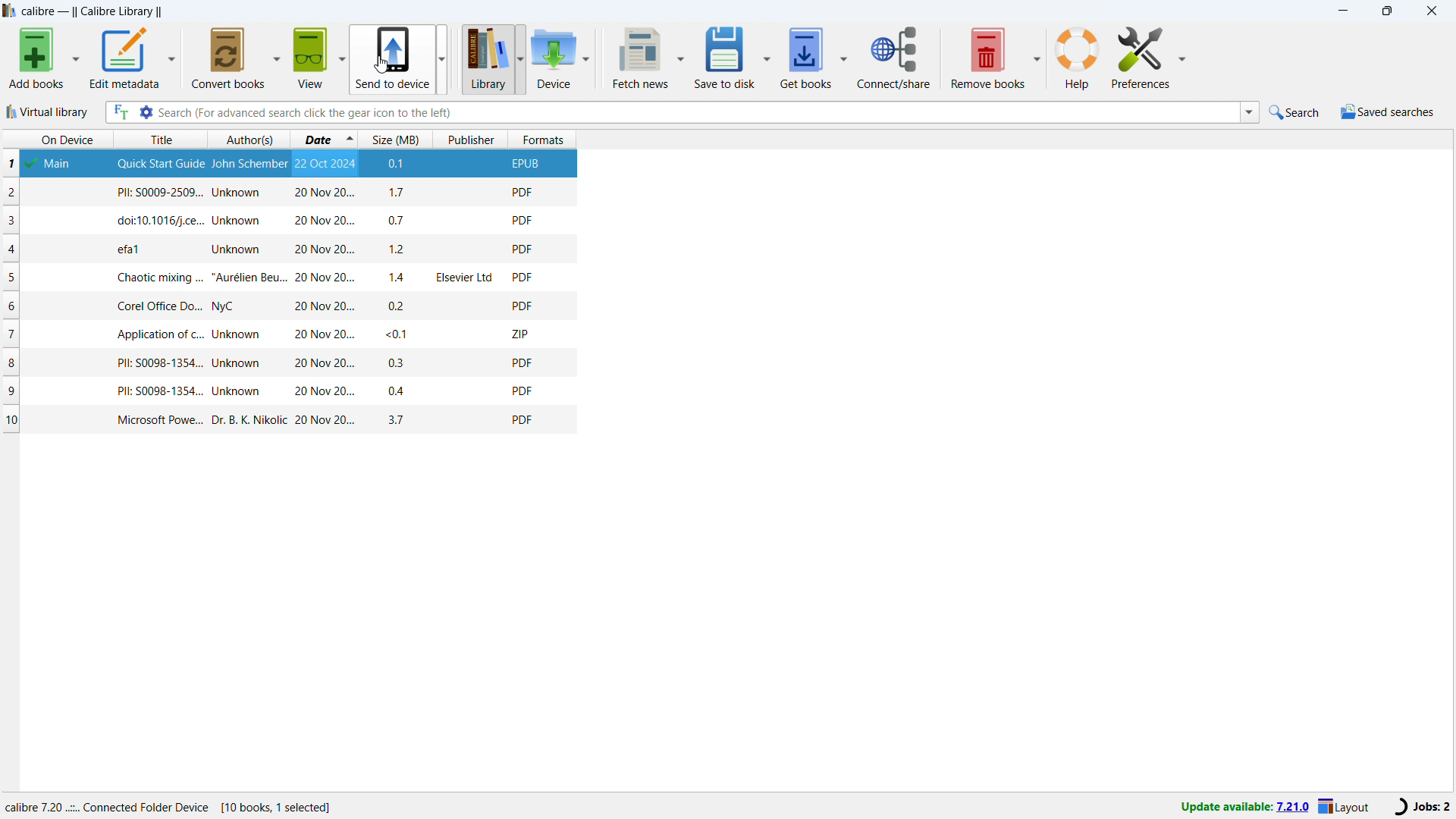  What do you see at coordinates (93, 12) in the screenshot?
I see `title` at bounding box center [93, 12].